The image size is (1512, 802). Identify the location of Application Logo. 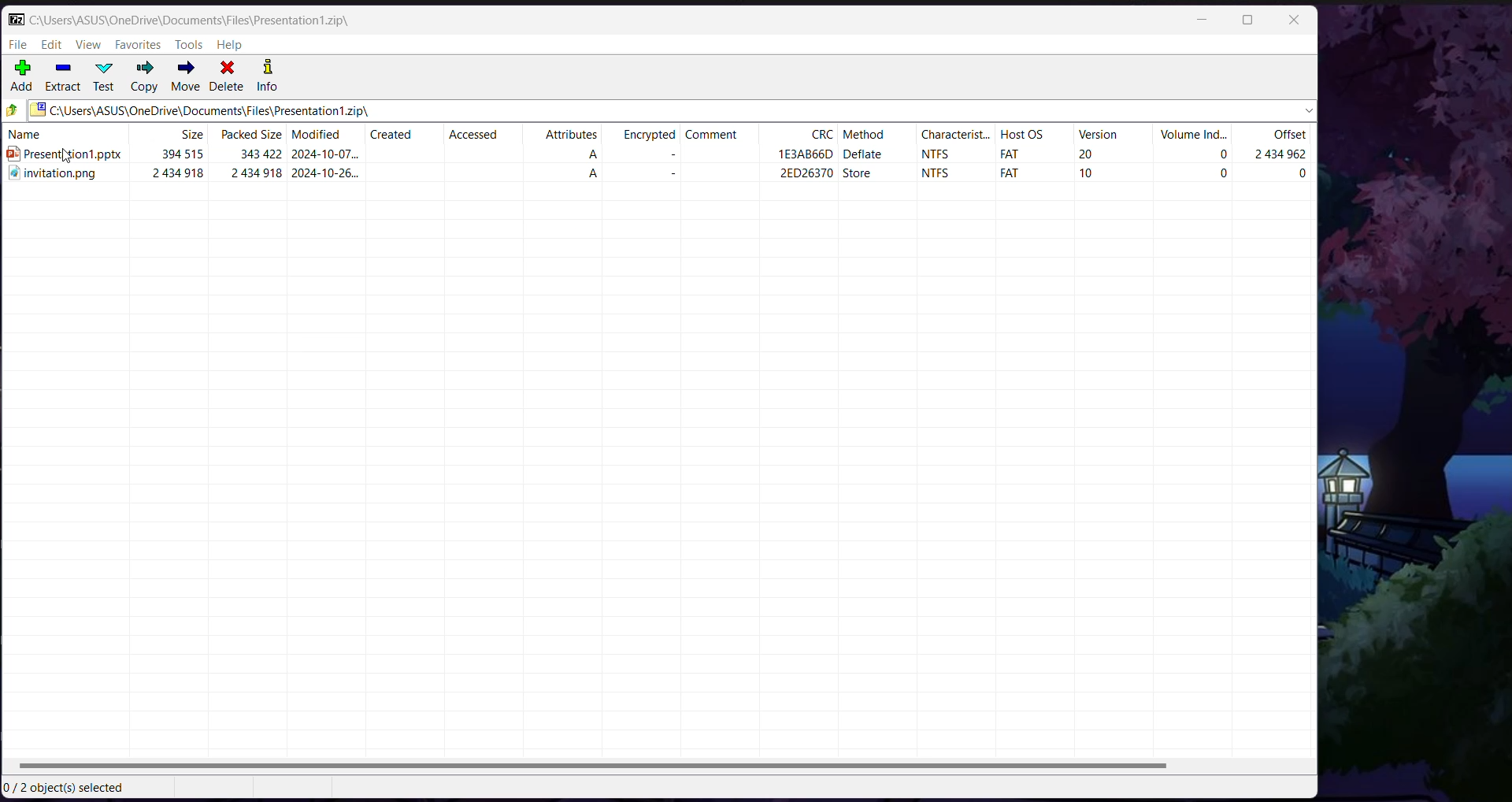
(13, 20).